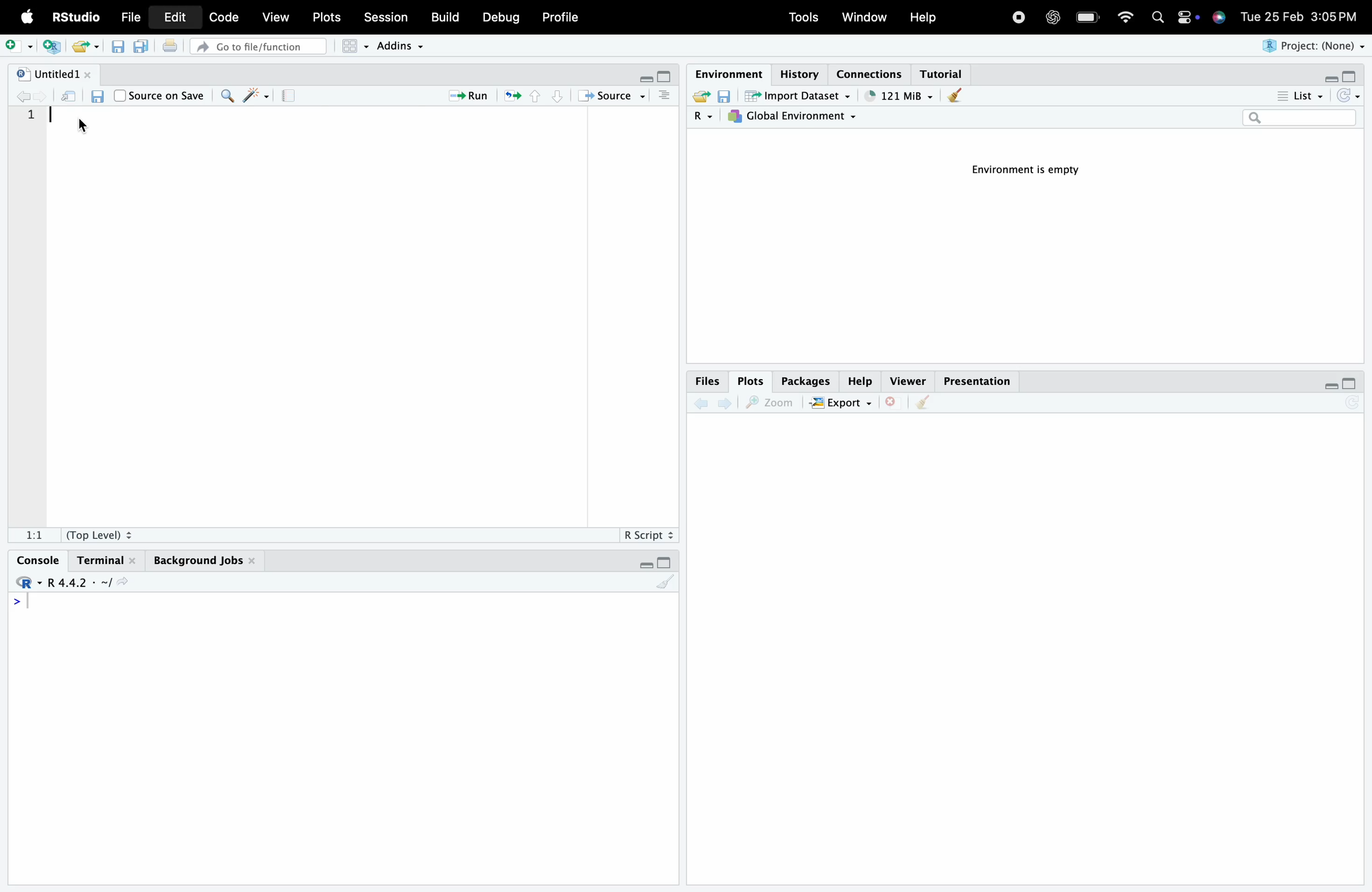 The image size is (1372, 892). I want to click on Help, so click(924, 17).